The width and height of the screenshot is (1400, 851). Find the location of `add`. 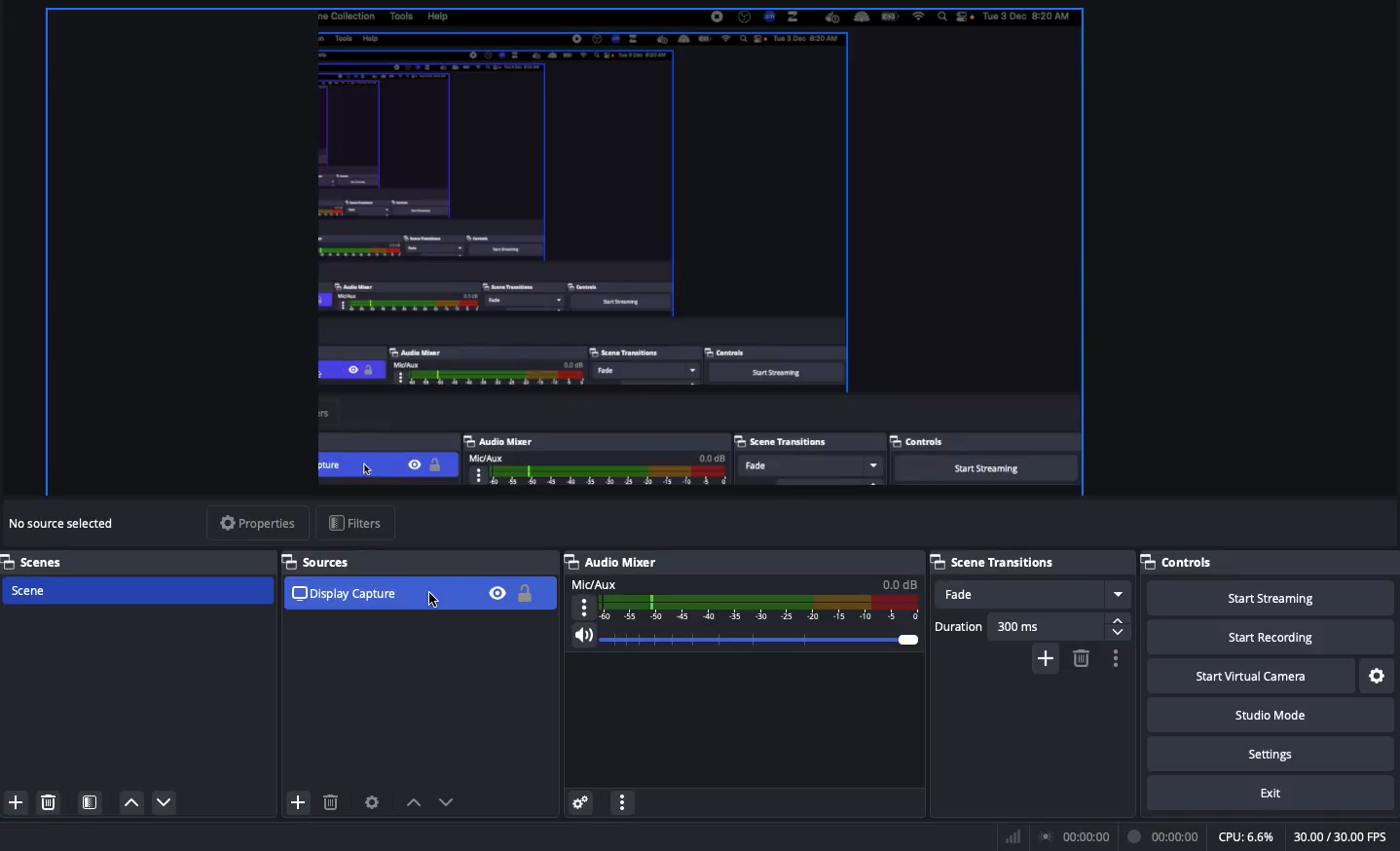

add is located at coordinates (298, 801).